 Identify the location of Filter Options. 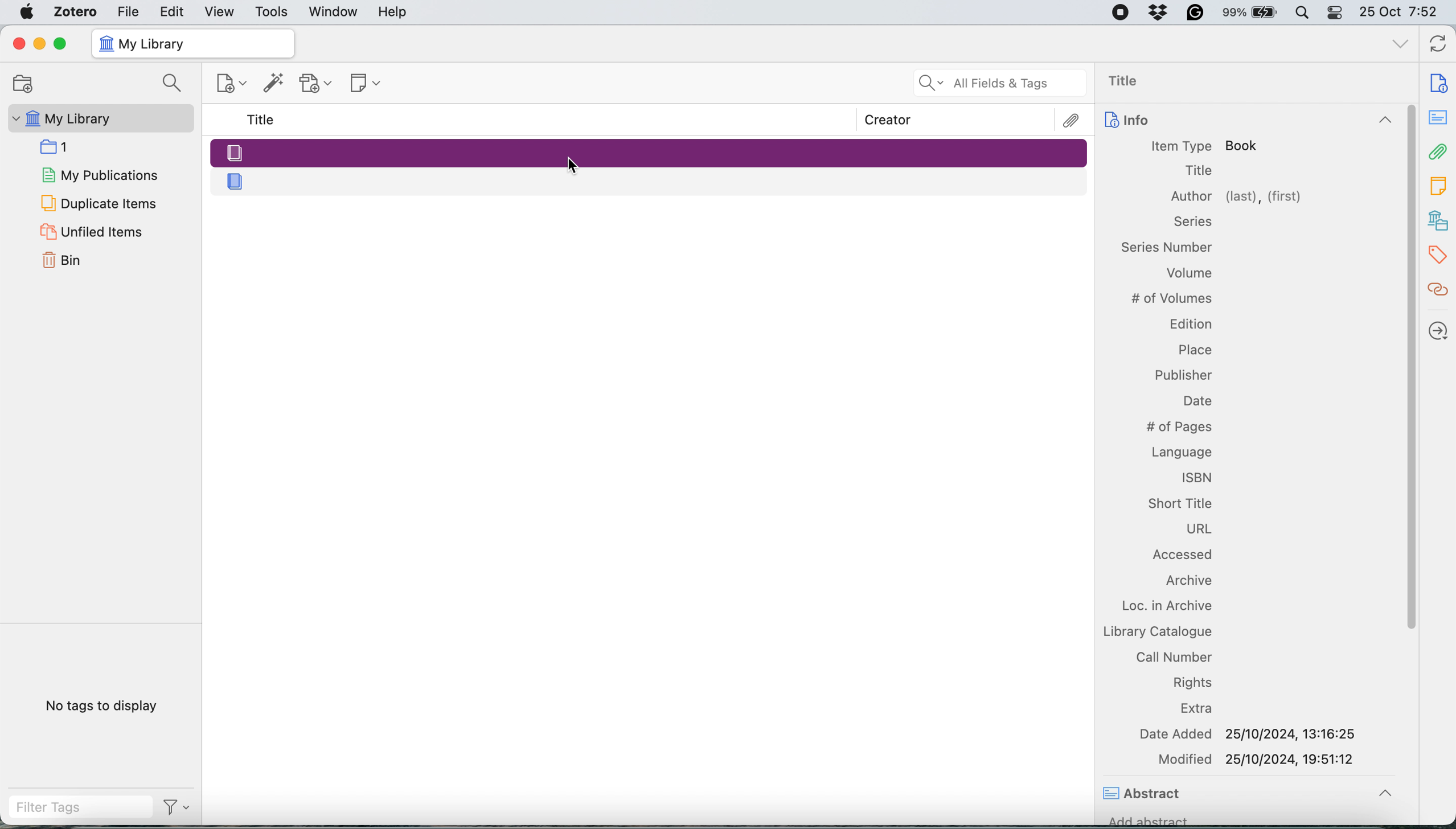
(181, 807).